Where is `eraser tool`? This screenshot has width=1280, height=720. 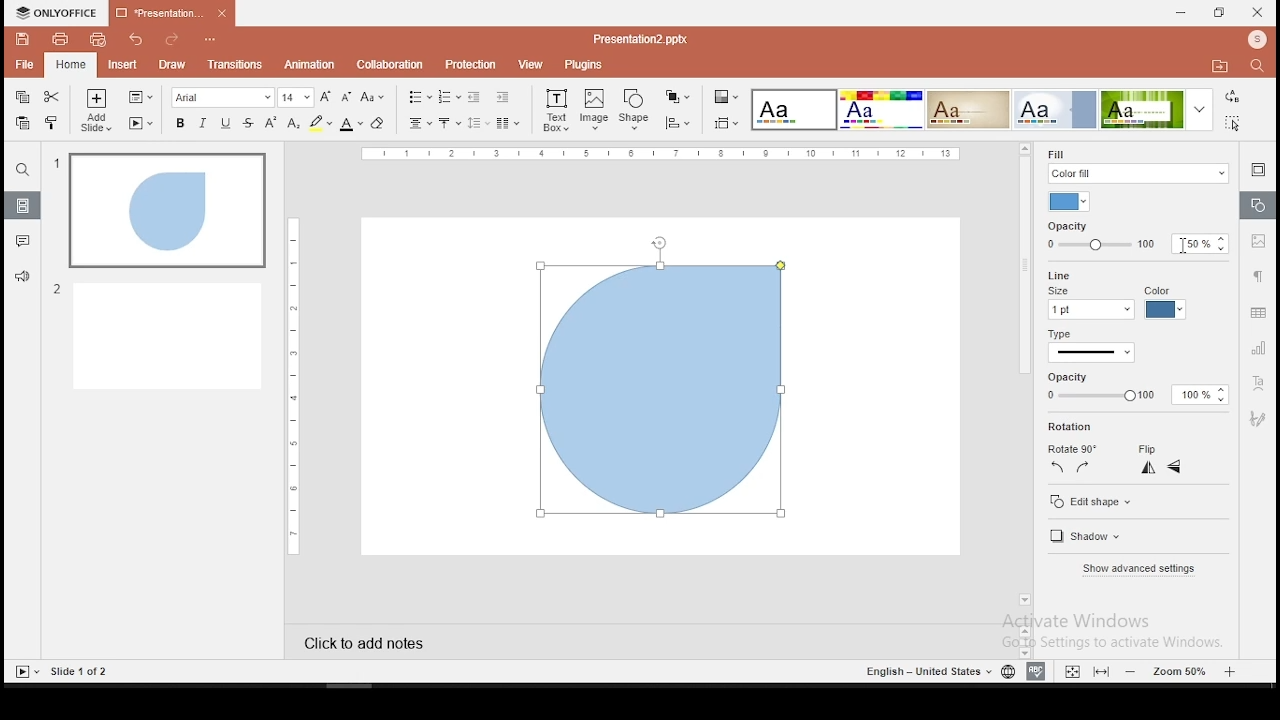
eraser tool is located at coordinates (378, 123).